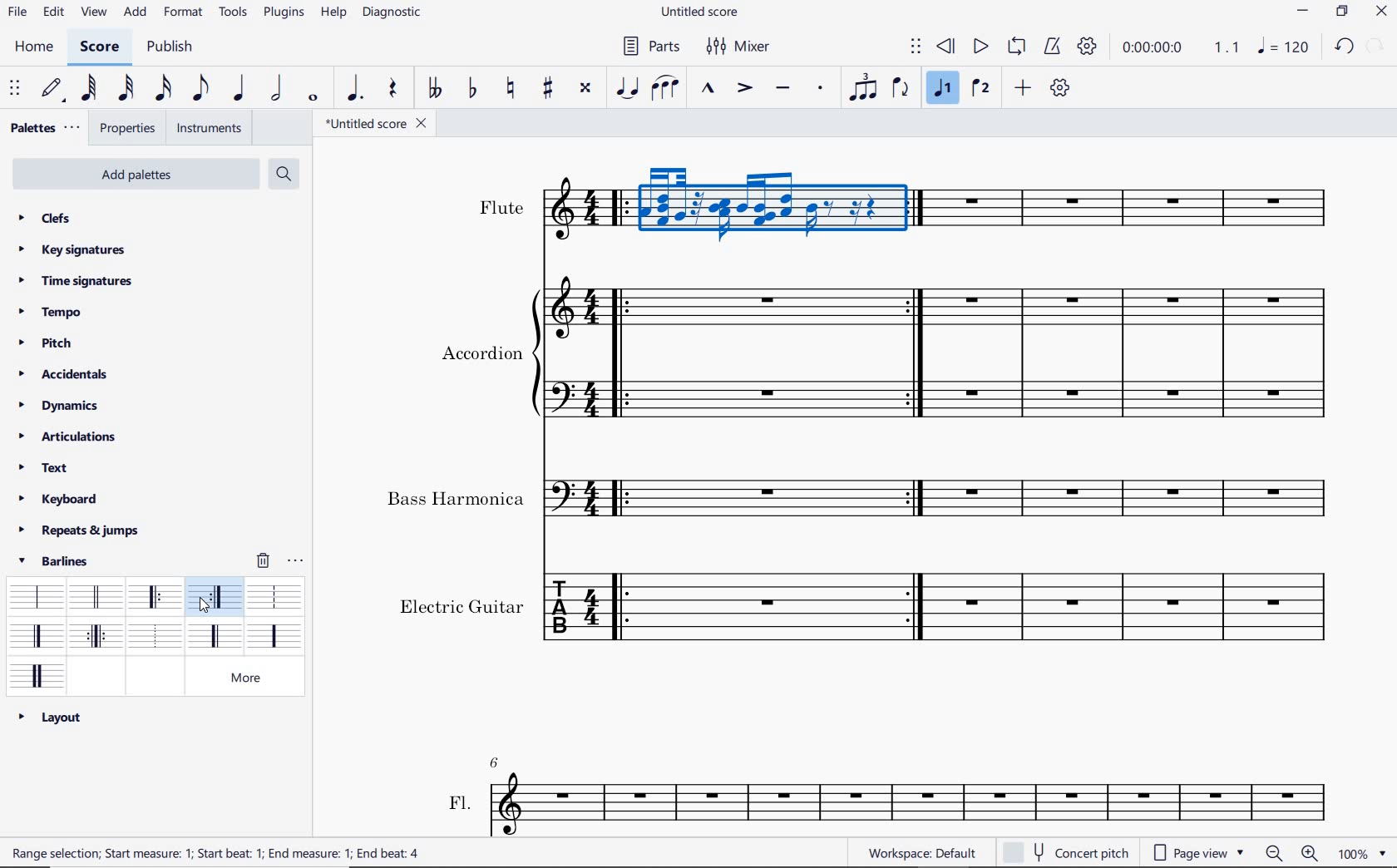  What do you see at coordinates (769, 496) in the screenshot?
I see `Instrument: Electric guitar` at bounding box center [769, 496].